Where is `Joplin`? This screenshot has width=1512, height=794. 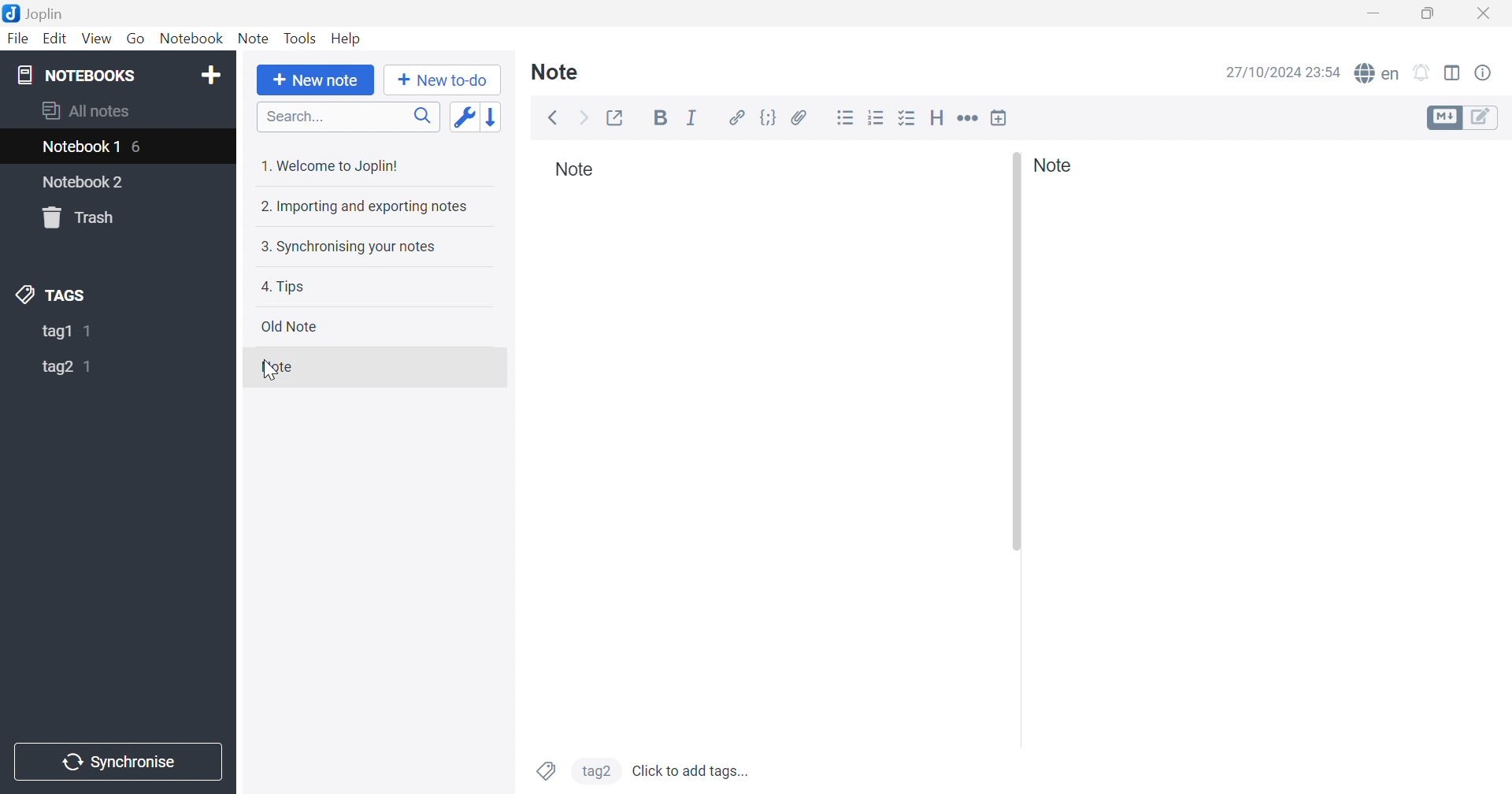 Joplin is located at coordinates (36, 13).